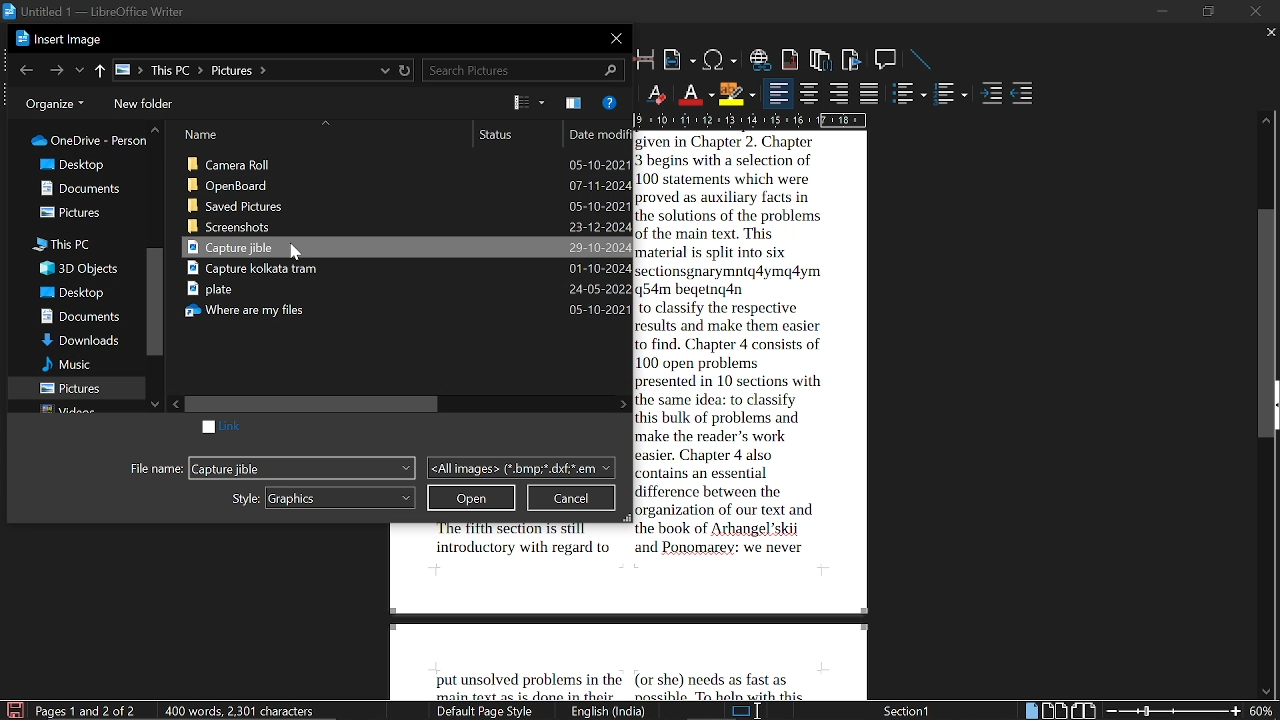 Image resolution: width=1280 pixels, height=720 pixels. What do you see at coordinates (76, 165) in the screenshot?
I see `desktop` at bounding box center [76, 165].